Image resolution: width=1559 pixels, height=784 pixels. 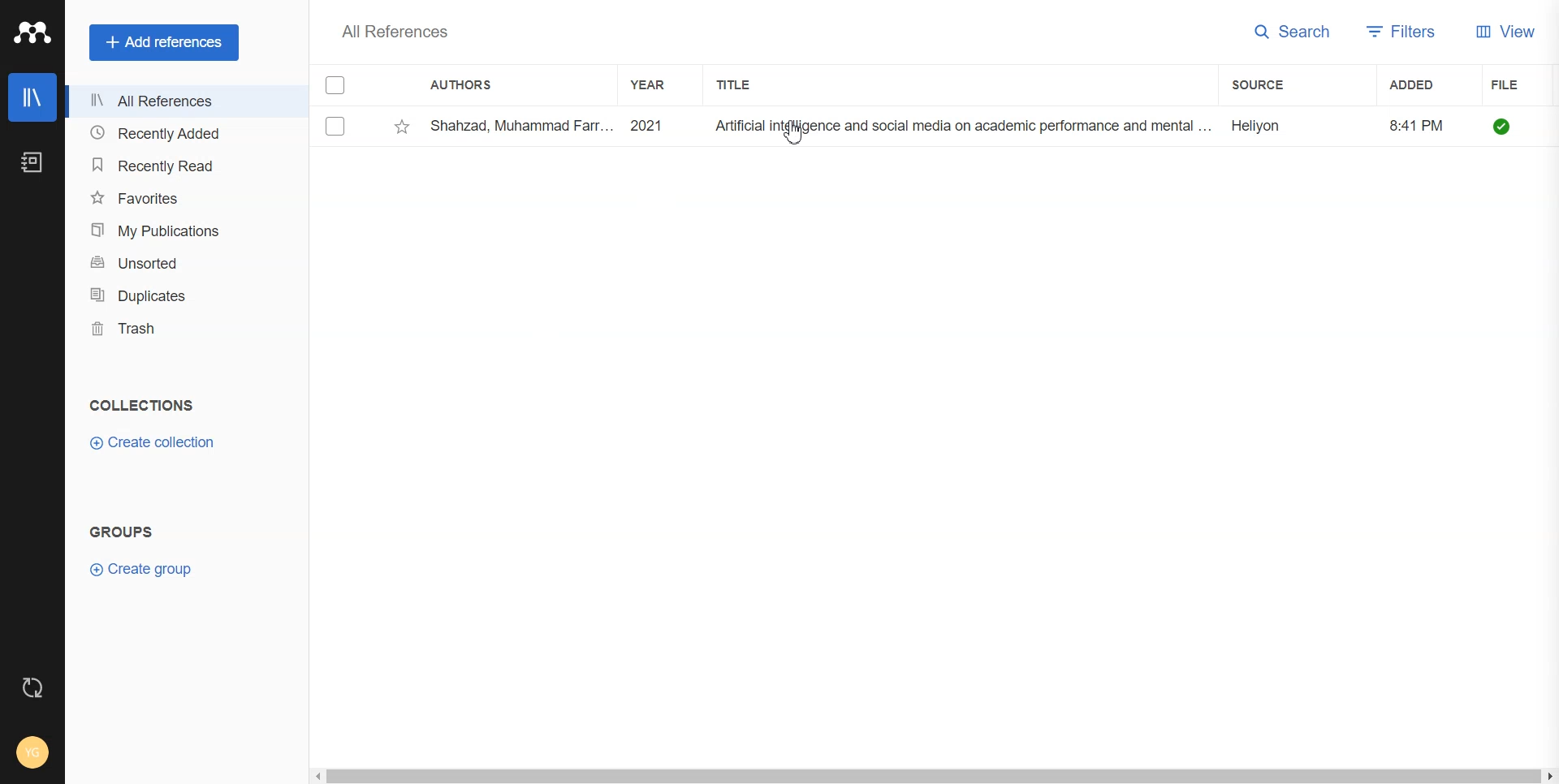 I want to click on File, so click(x=1518, y=84).